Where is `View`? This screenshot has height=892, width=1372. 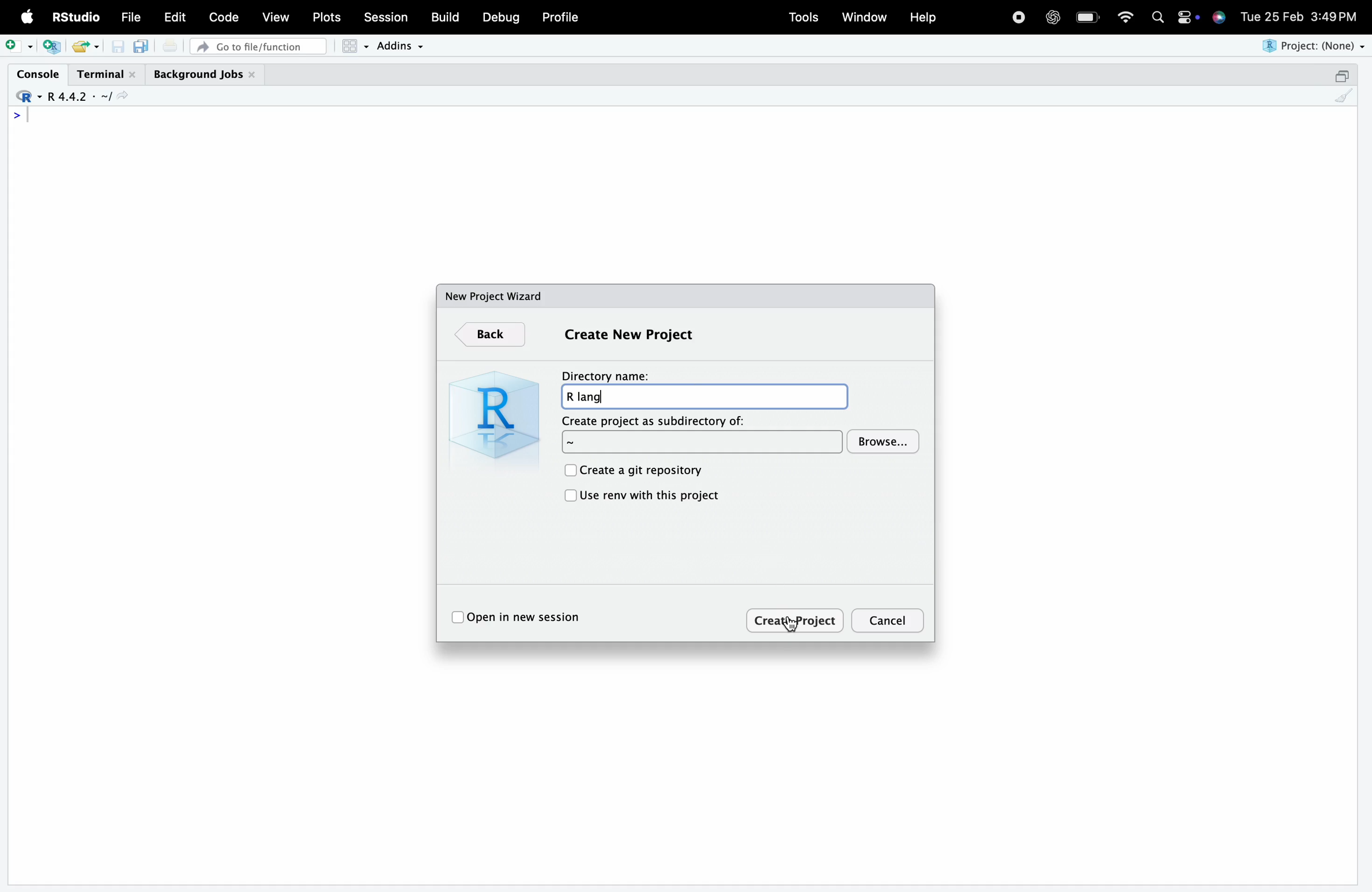 View is located at coordinates (276, 16).